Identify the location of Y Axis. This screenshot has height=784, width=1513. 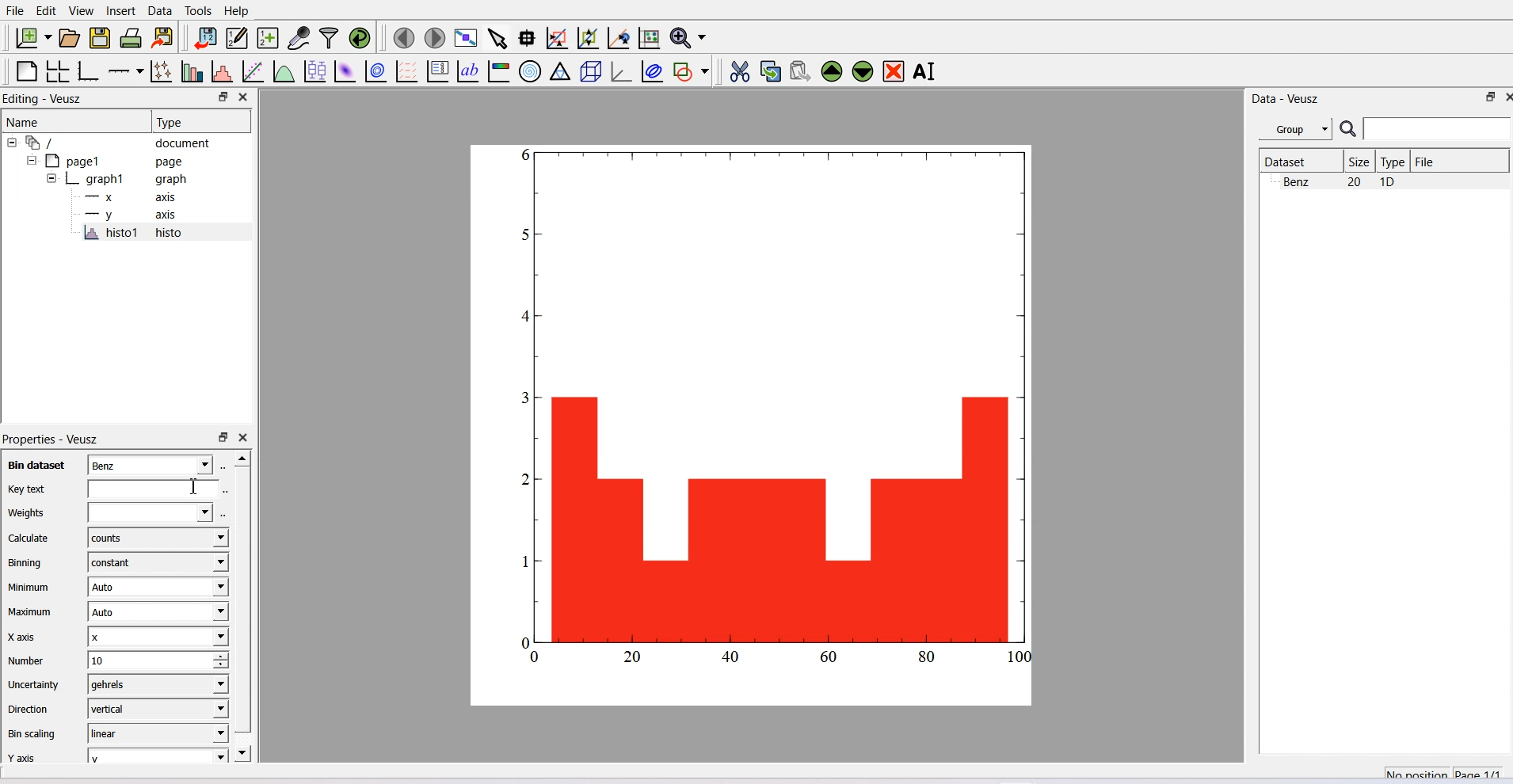
(136, 214).